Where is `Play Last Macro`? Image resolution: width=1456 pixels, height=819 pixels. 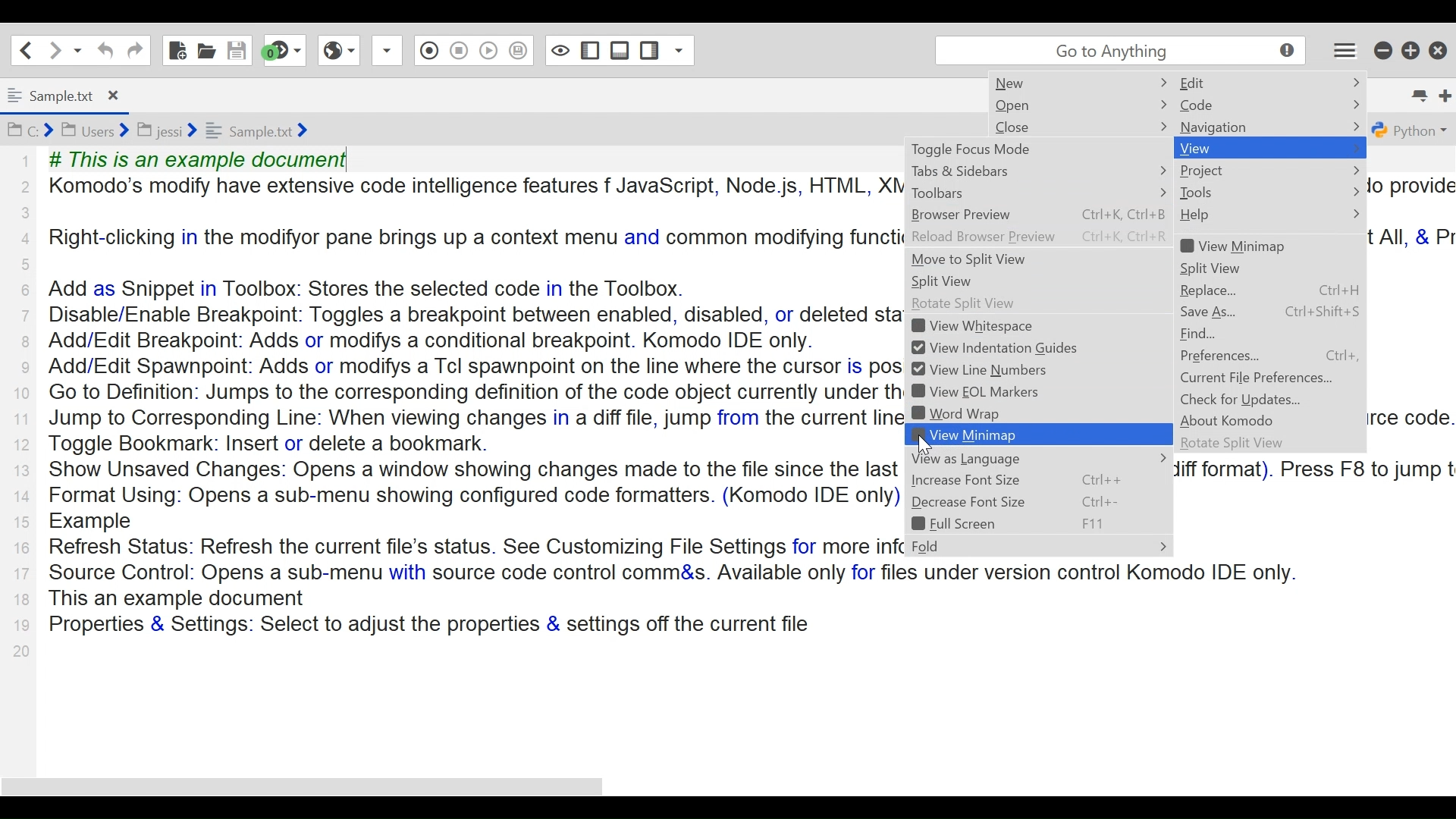
Play Last Macro is located at coordinates (458, 50).